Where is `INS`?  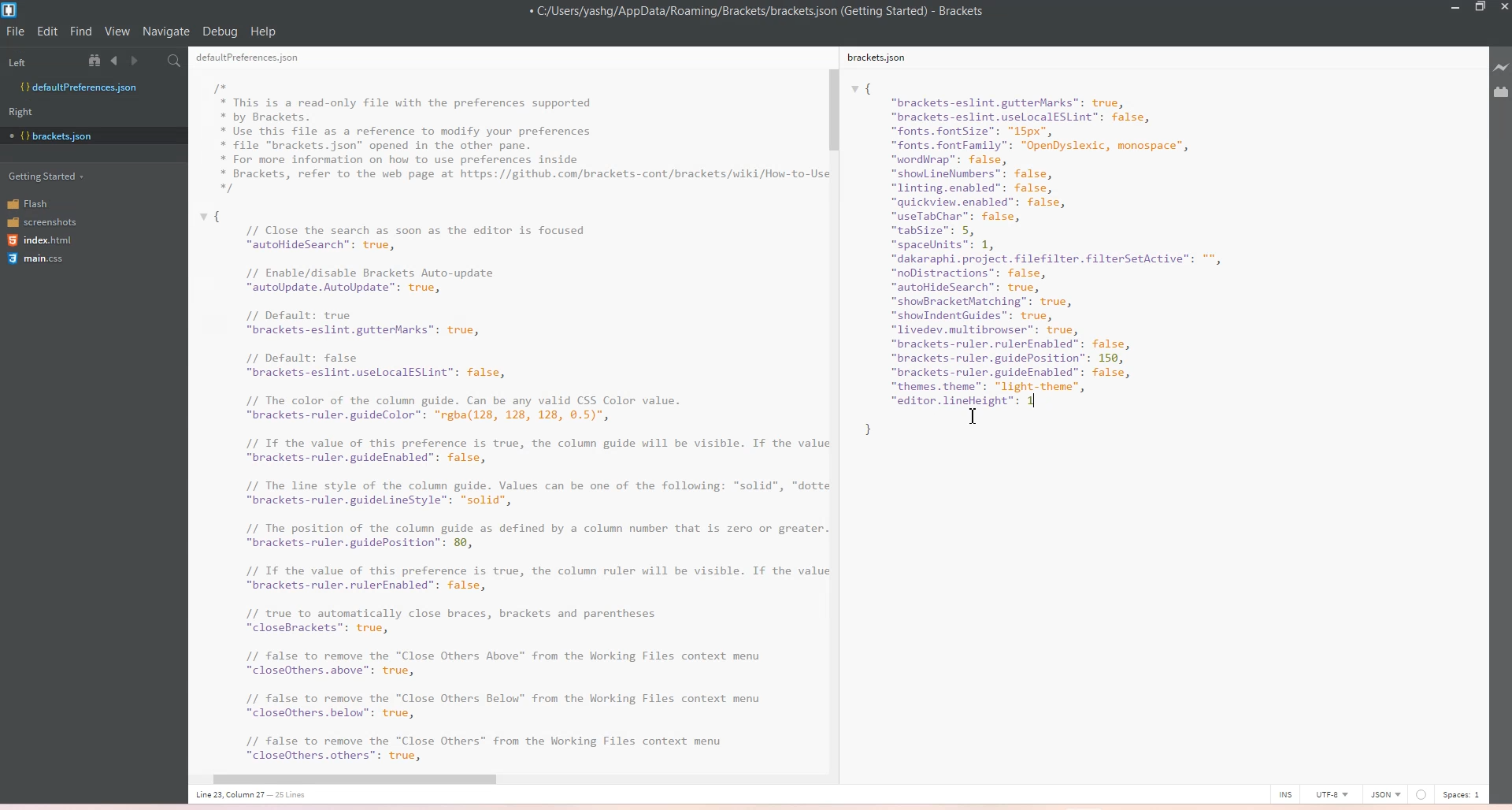 INS is located at coordinates (1285, 793).